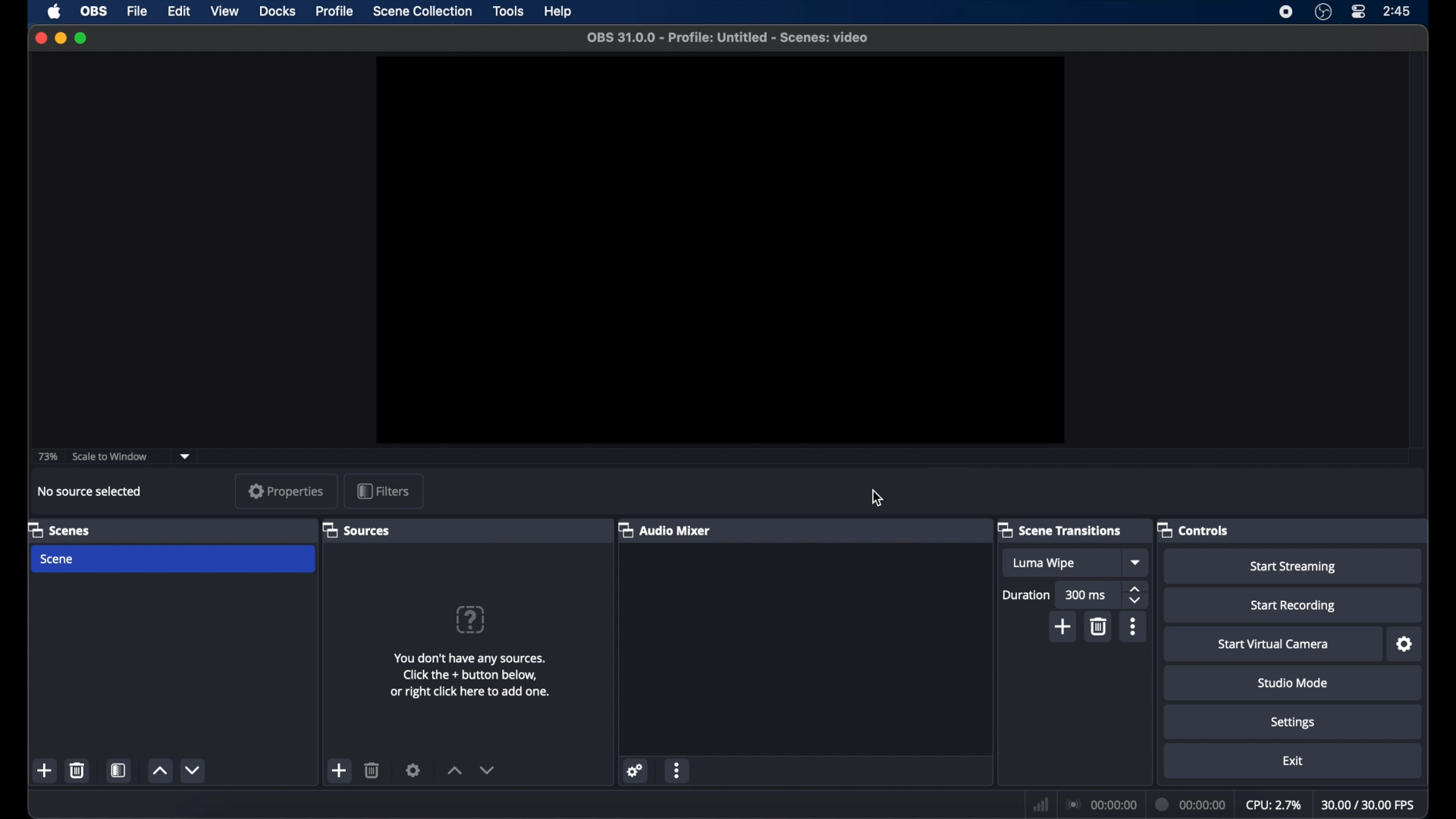  What do you see at coordinates (510, 11) in the screenshot?
I see `tools` at bounding box center [510, 11].